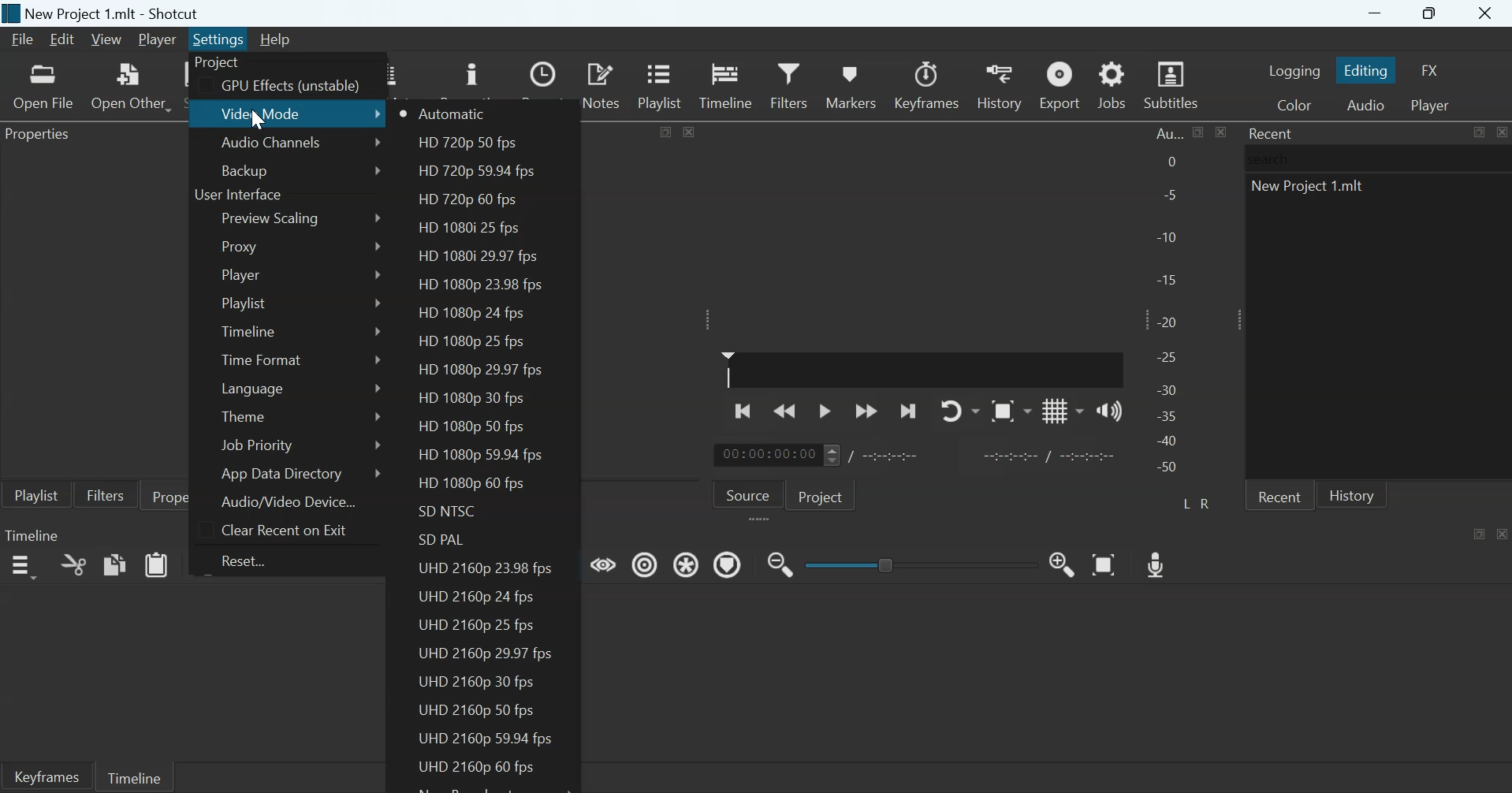 The image size is (1512, 793). What do you see at coordinates (748, 493) in the screenshot?
I see `Source` at bounding box center [748, 493].